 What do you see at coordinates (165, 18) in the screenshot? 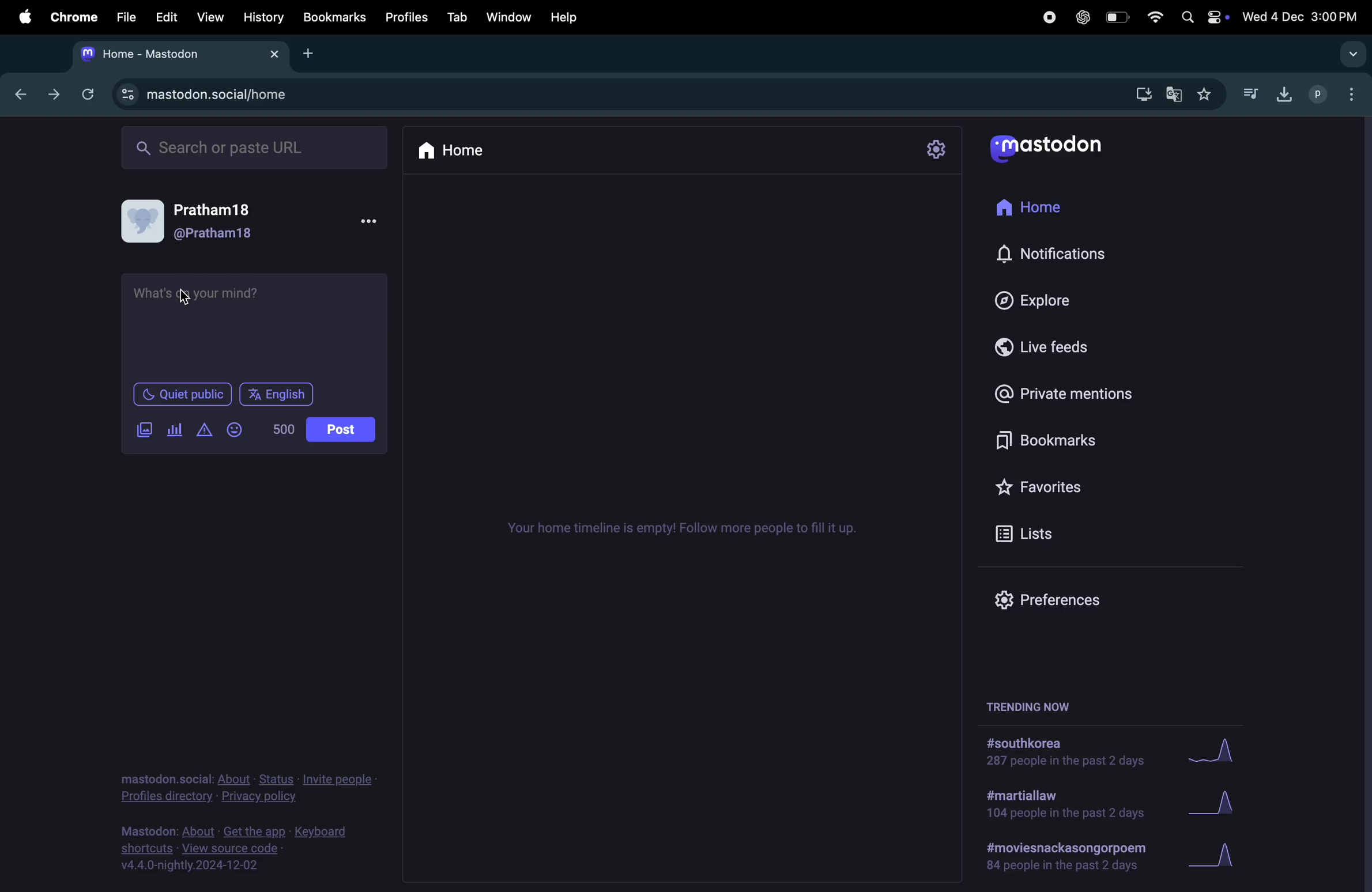
I see `edit` at bounding box center [165, 18].